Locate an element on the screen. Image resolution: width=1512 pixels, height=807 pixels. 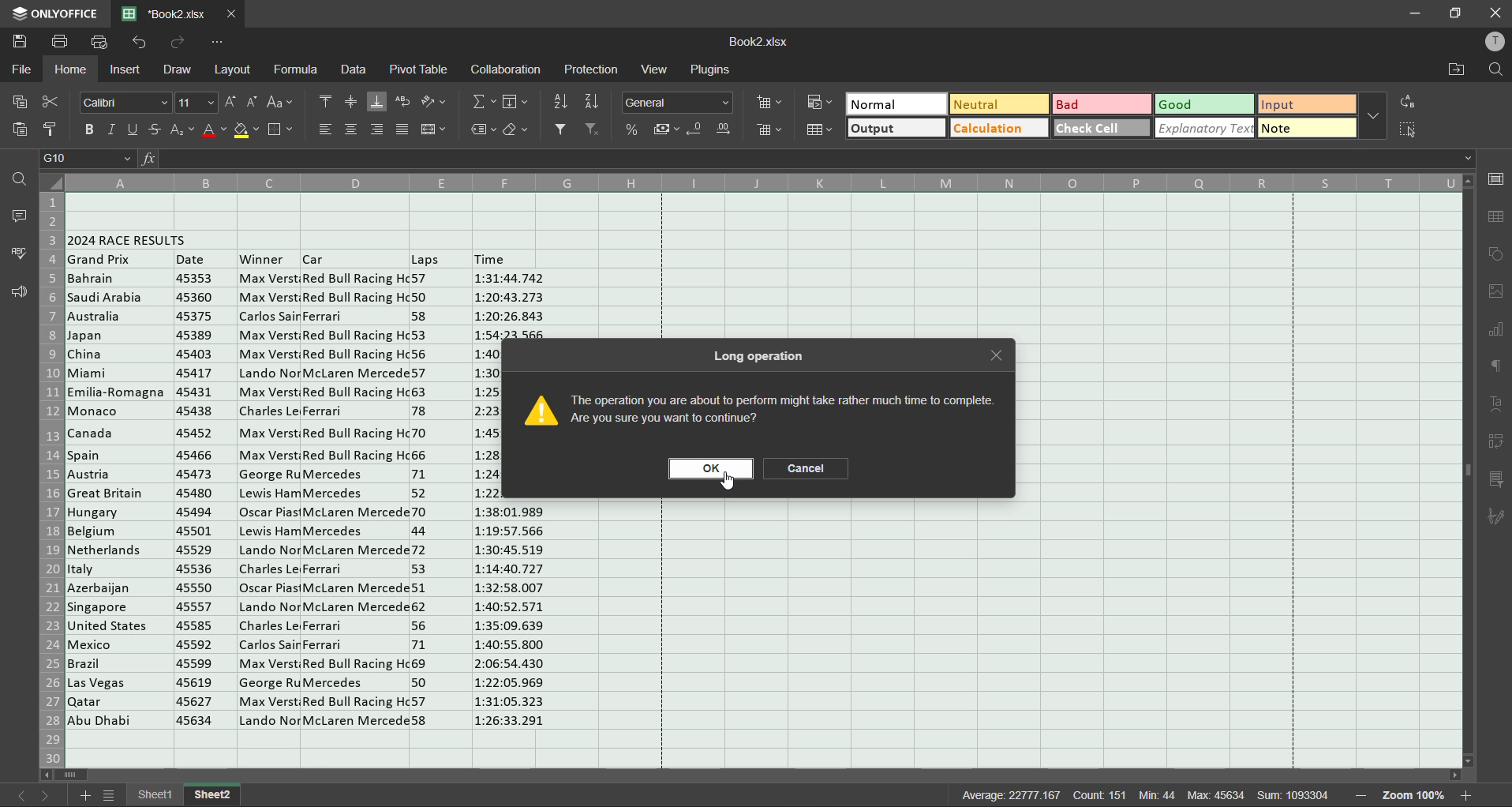
fill color is located at coordinates (246, 133).